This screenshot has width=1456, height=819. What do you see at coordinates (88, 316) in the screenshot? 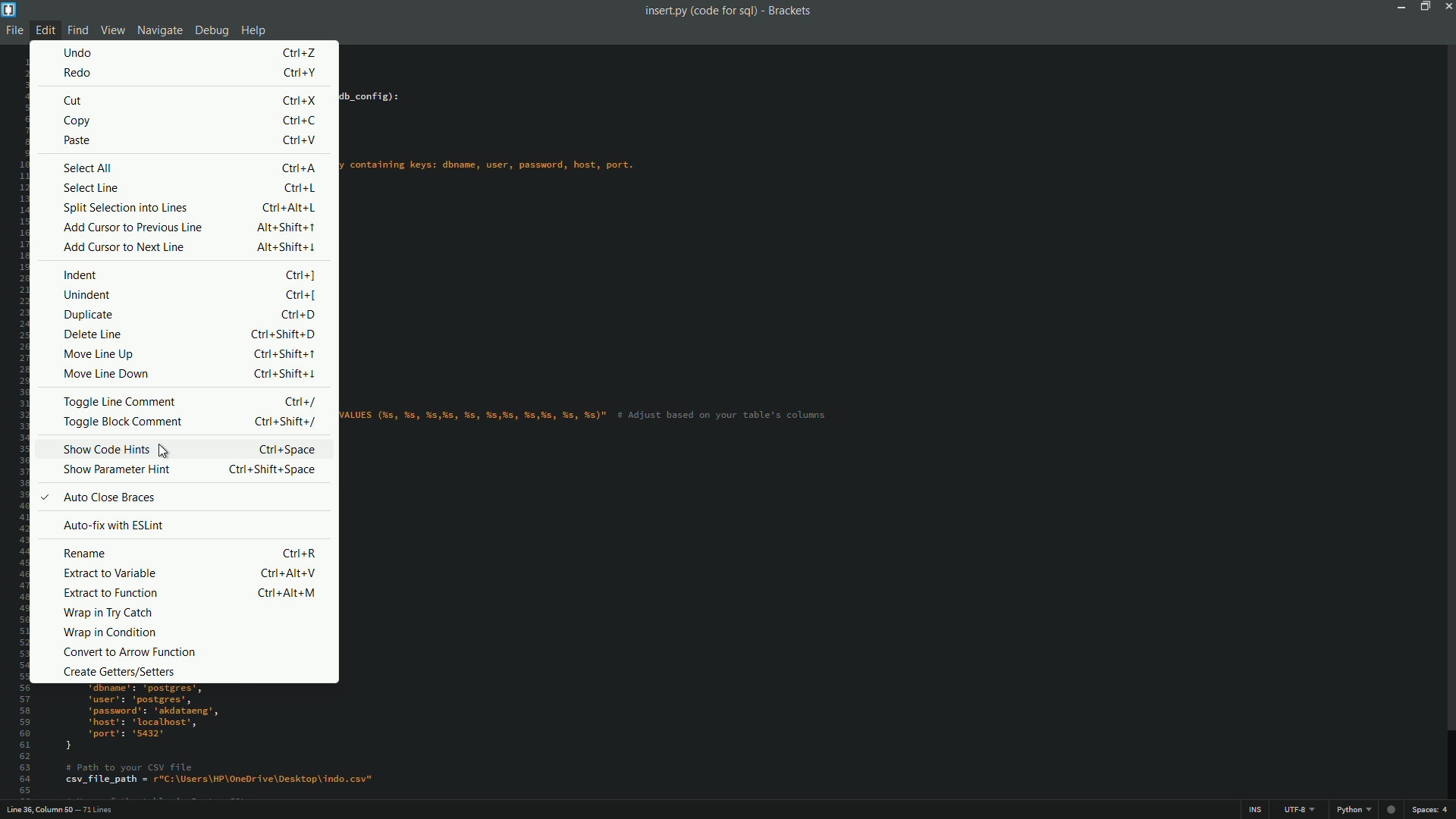
I see `duplicate` at bounding box center [88, 316].